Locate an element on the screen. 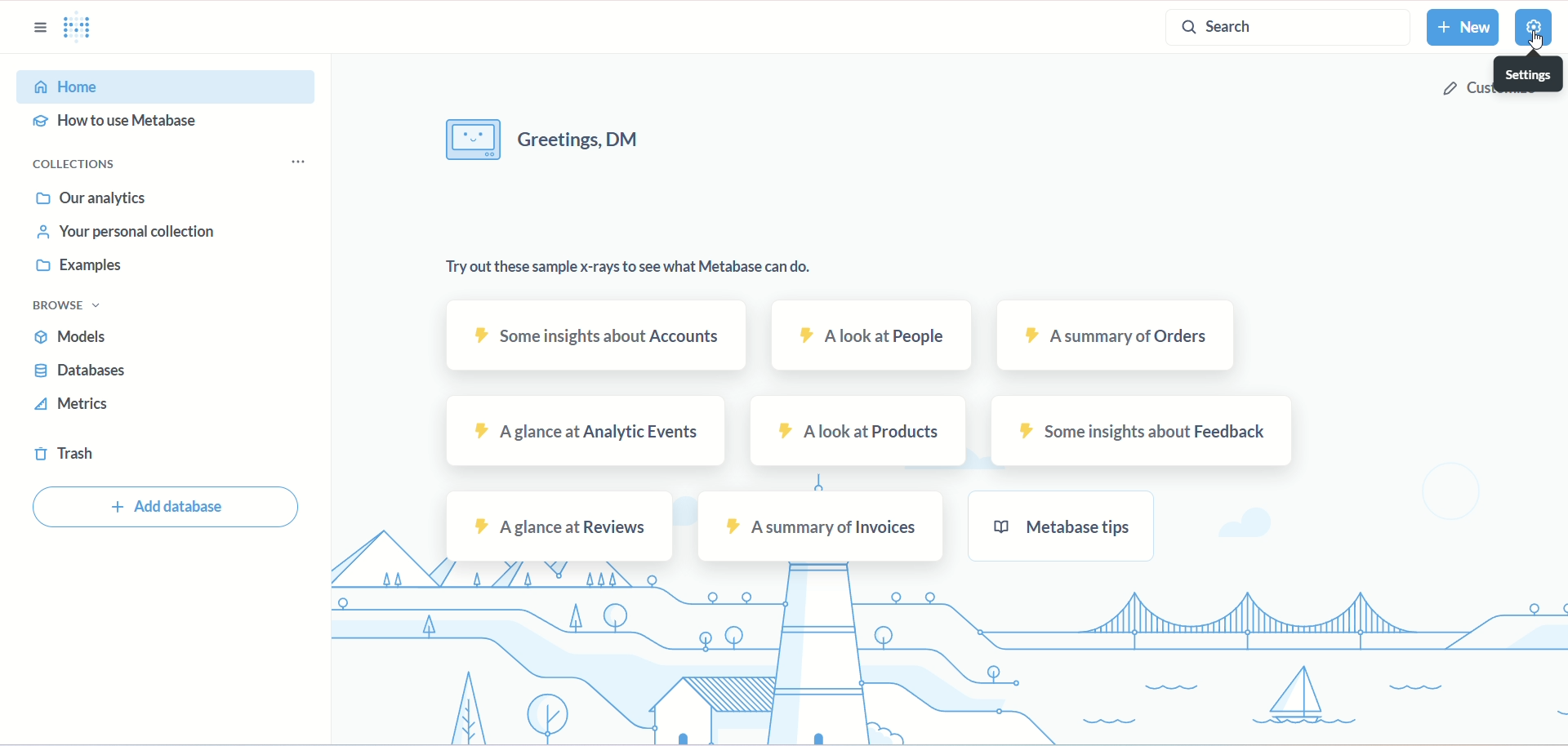 Image resolution: width=1568 pixels, height=746 pixels. cursor is located at coordinates (1533, 45).